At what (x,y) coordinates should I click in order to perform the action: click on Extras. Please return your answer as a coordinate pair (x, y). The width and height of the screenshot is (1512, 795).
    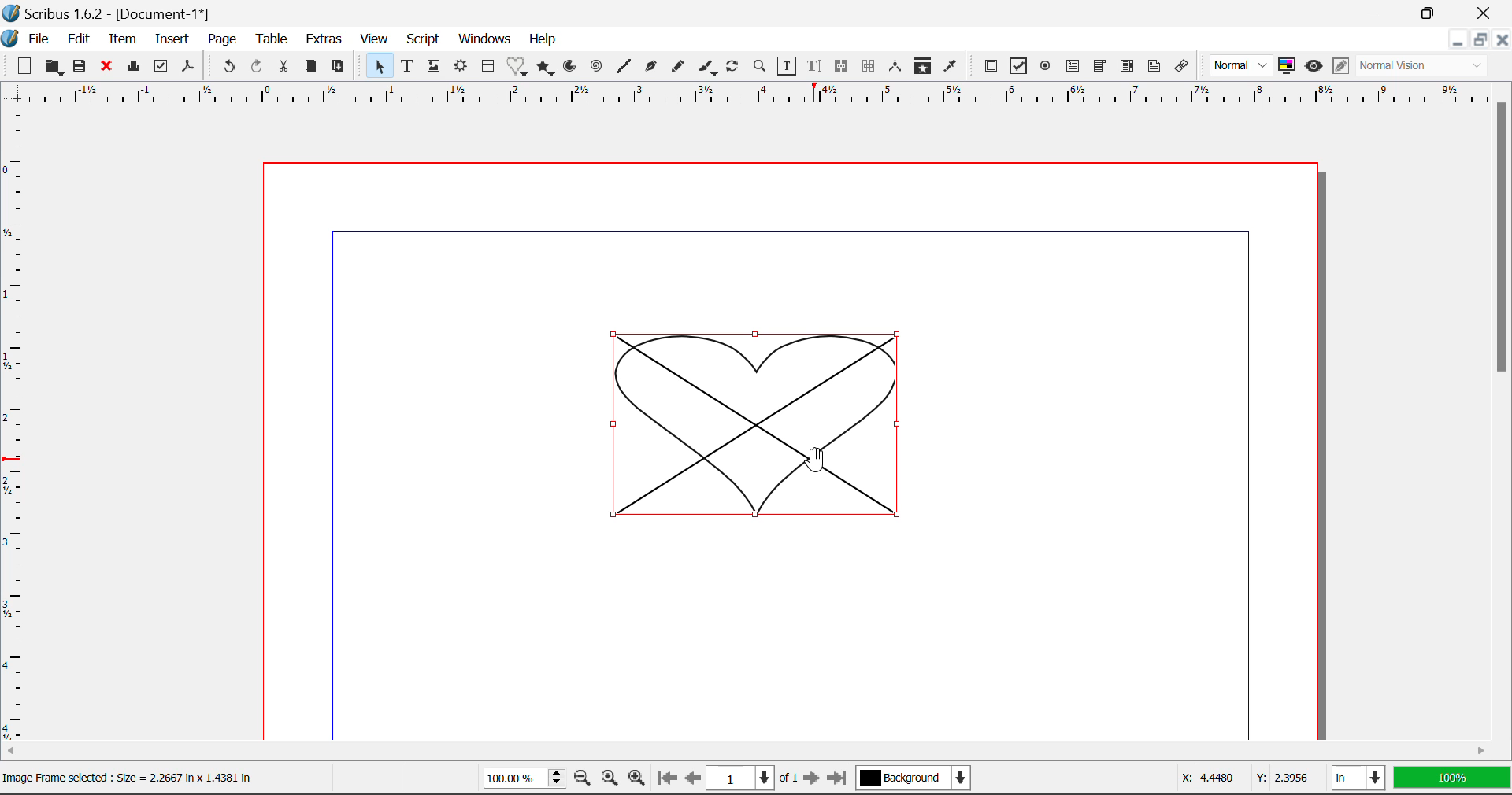
    Looking at the image, I should click on (327, 40).